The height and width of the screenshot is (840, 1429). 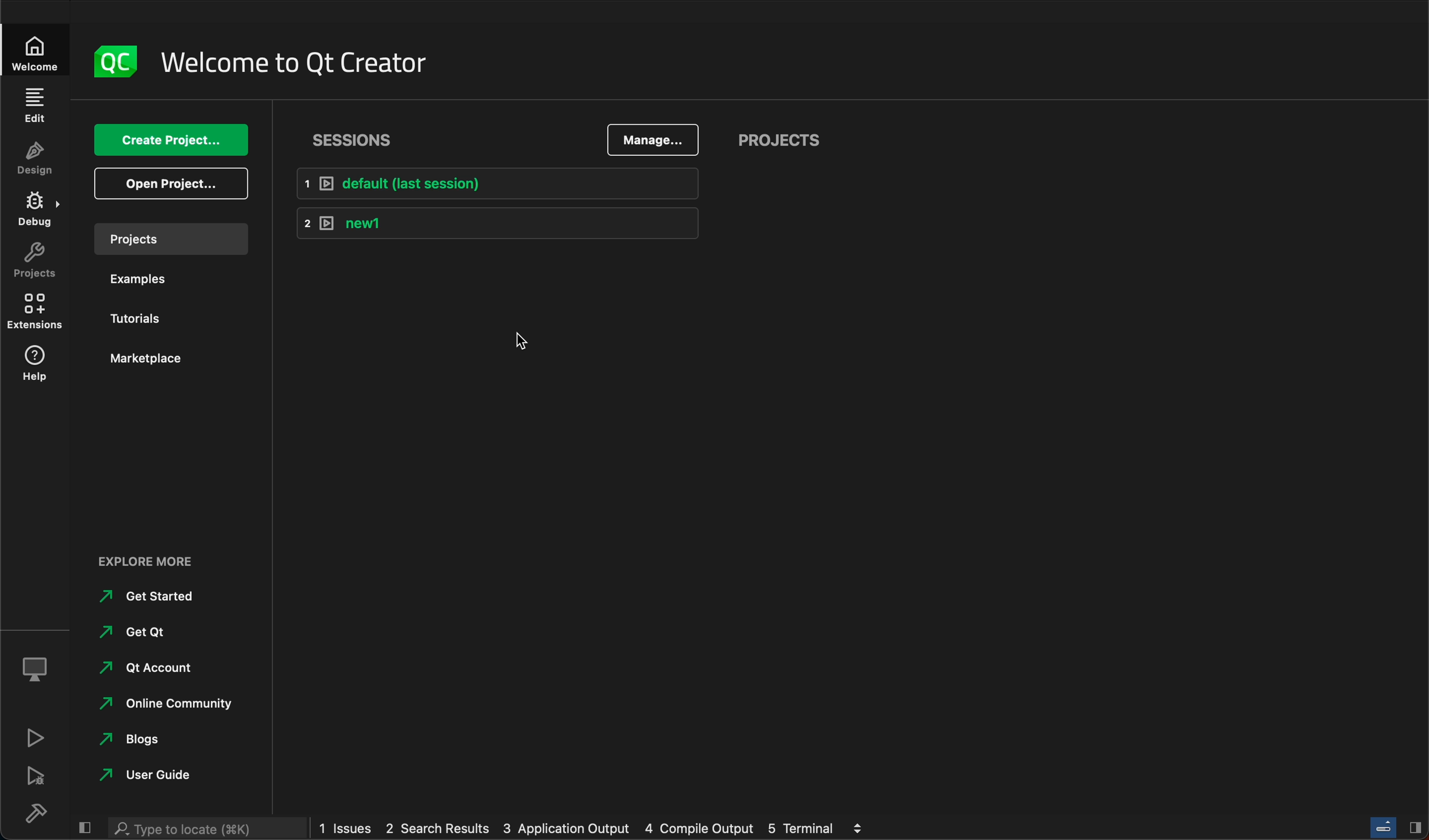 What do you see at coordinates (149, 281) in the screenshot?
I see `examples` at bounding box center [149, 281].